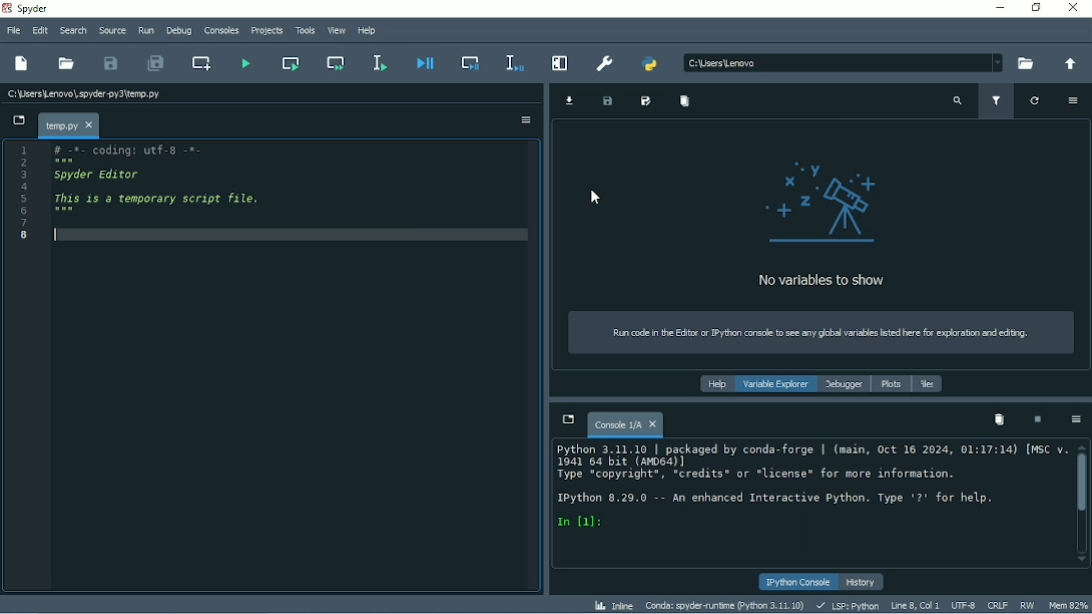 The width and height of the screenshot is (1092, 614). What do you see at coordinates (67, 63) in the screenshot?
I see `Open file` at bounding box center [67, 63].